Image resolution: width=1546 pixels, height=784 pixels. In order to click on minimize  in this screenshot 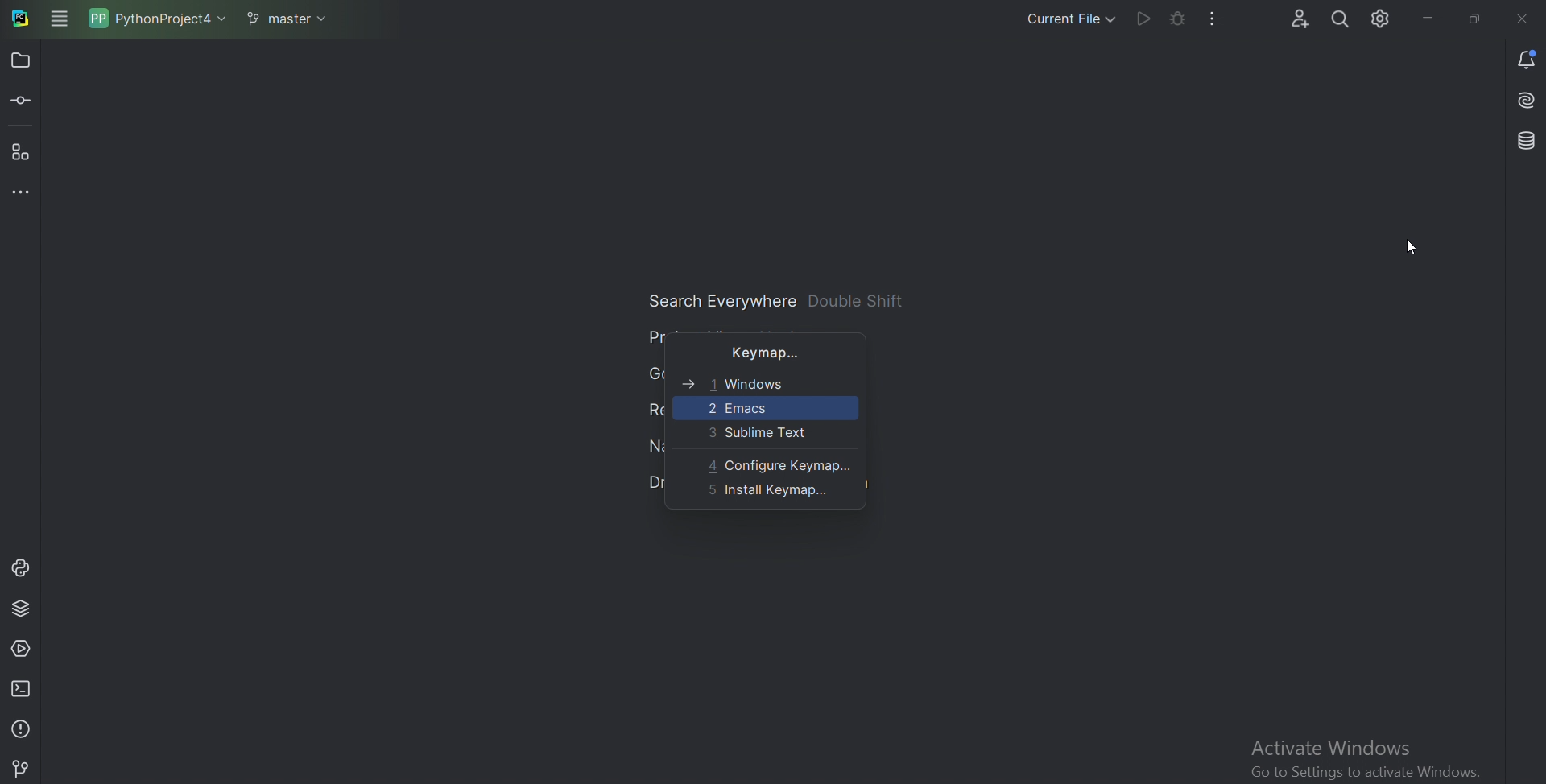, I will do `click(1428, 17)`.